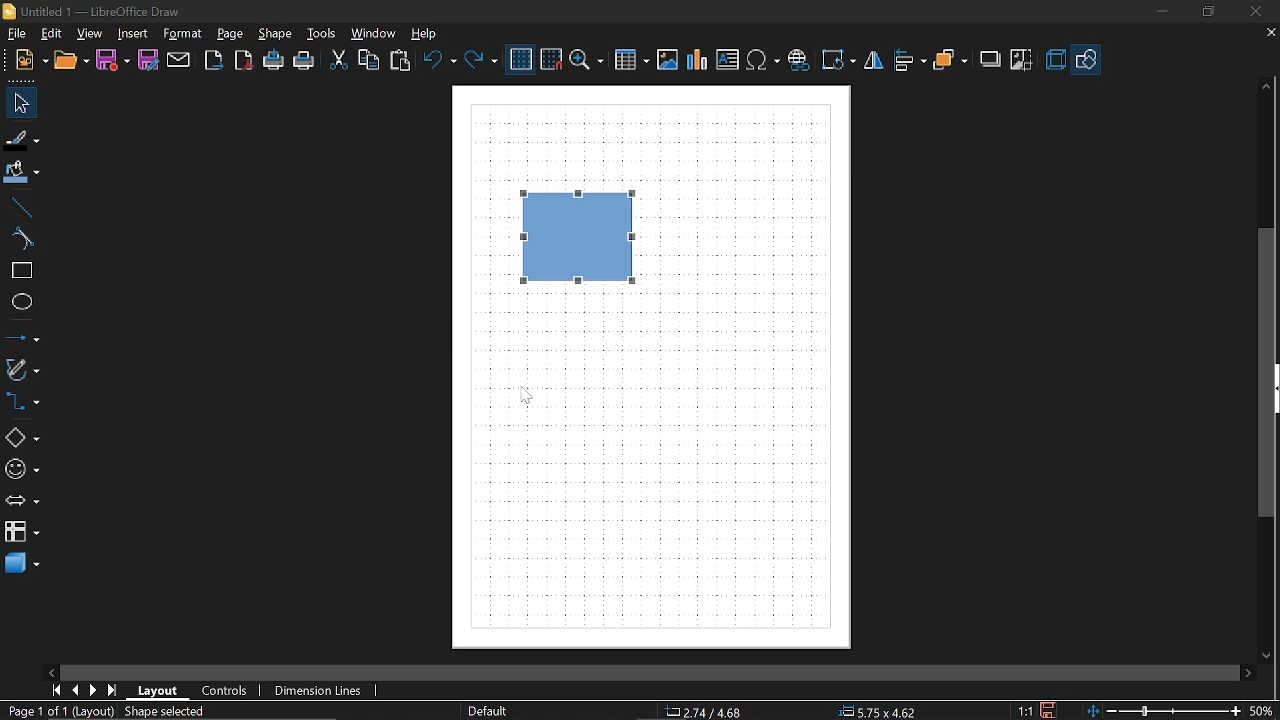 Image resolution: width=1280 pixels, height=720 pixels. Describe the element at coordinates (51, 671) in the screenshot. I see `MOve left` at that location.